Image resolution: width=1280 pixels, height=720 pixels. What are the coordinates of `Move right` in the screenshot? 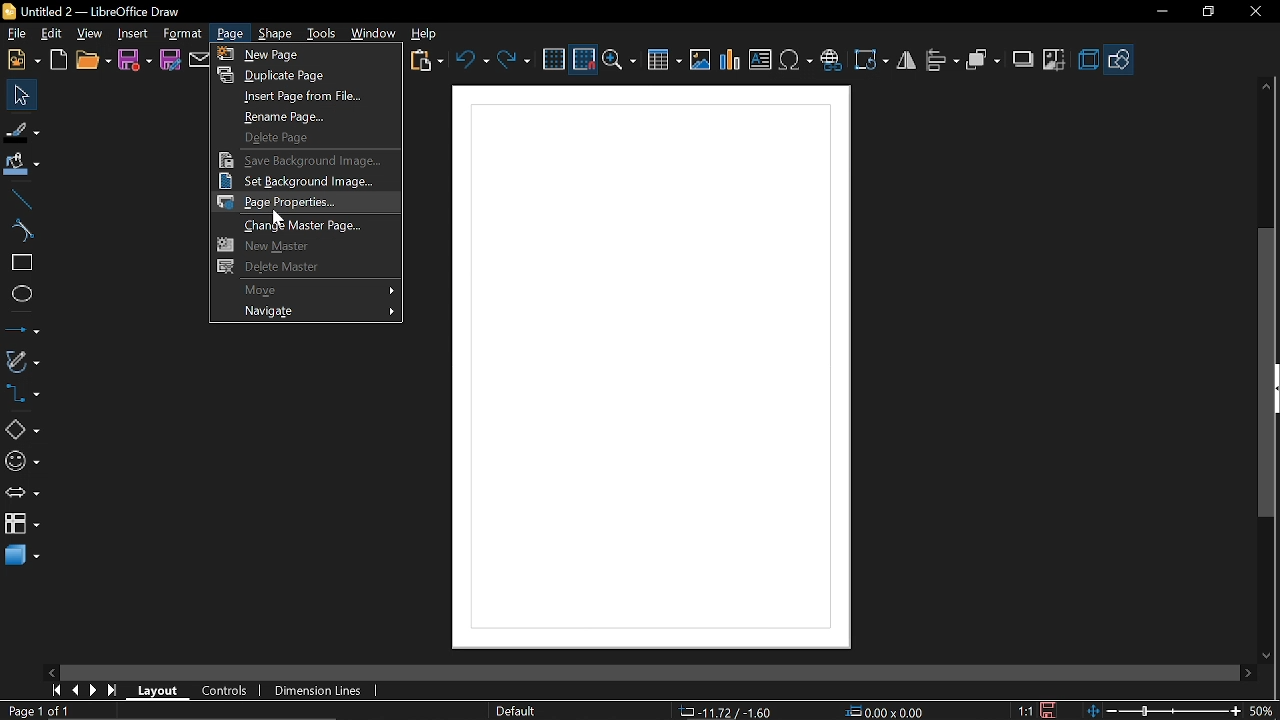 It's located at (1248, 672).